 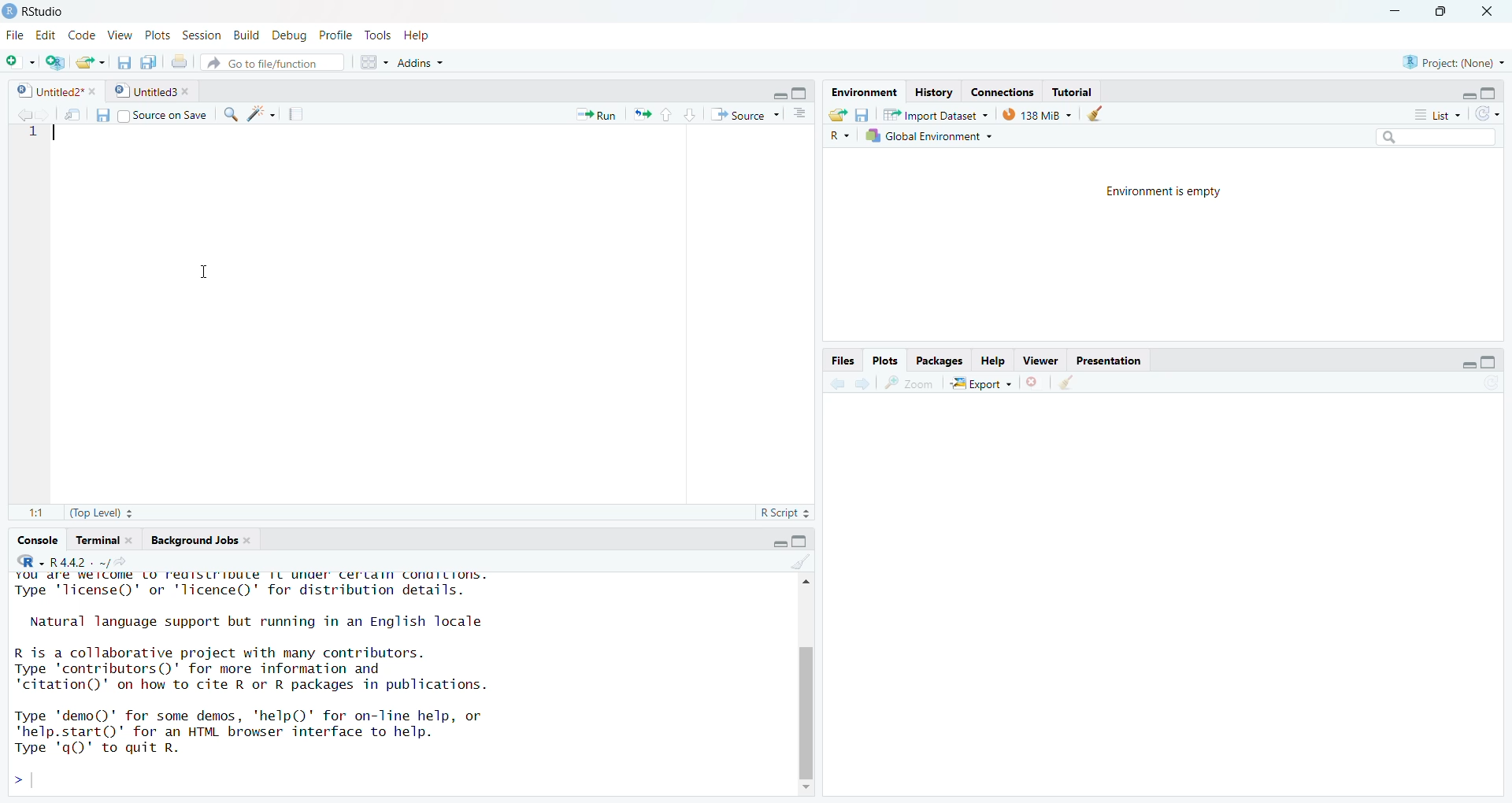 I want to click on Run, so click(x=589, y=113).